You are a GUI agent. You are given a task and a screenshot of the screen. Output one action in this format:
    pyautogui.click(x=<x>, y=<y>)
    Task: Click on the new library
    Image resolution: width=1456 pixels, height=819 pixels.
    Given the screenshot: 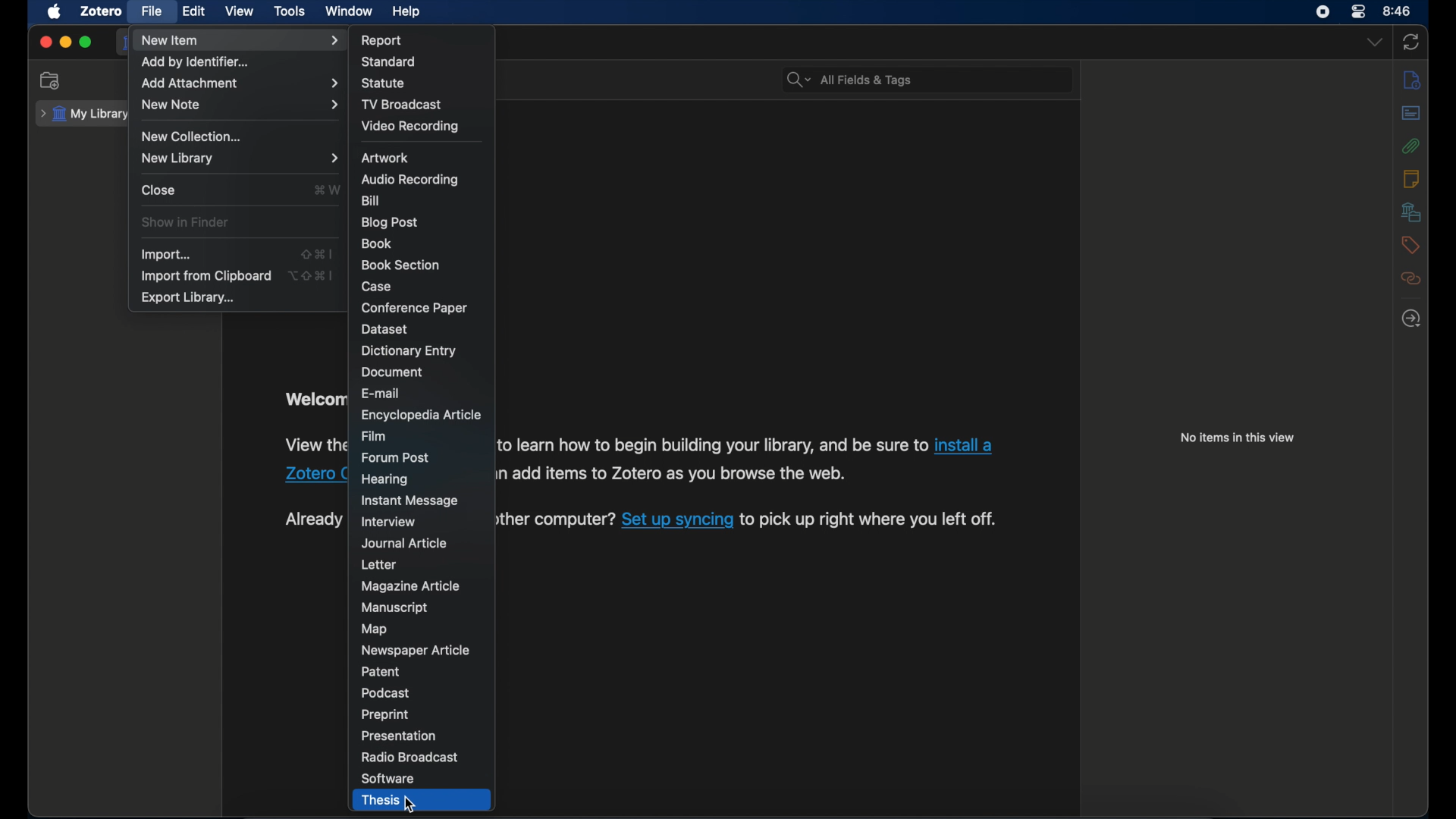 What is the action you would take?
    pyautogui.click(x=240, y=158)
    